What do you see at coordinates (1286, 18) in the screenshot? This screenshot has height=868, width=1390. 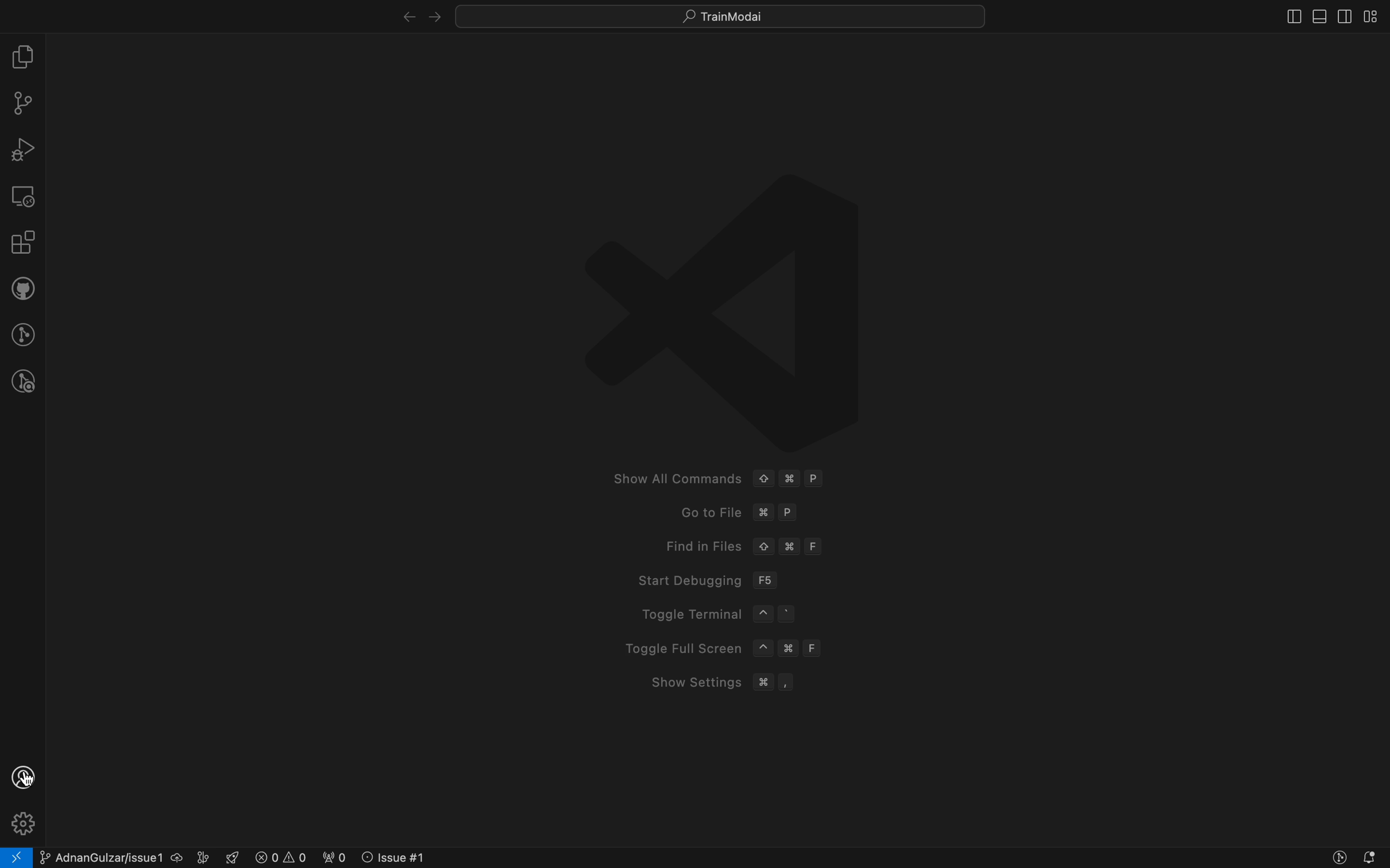 I see `close slidebar` at bounding box center [1286, 18].